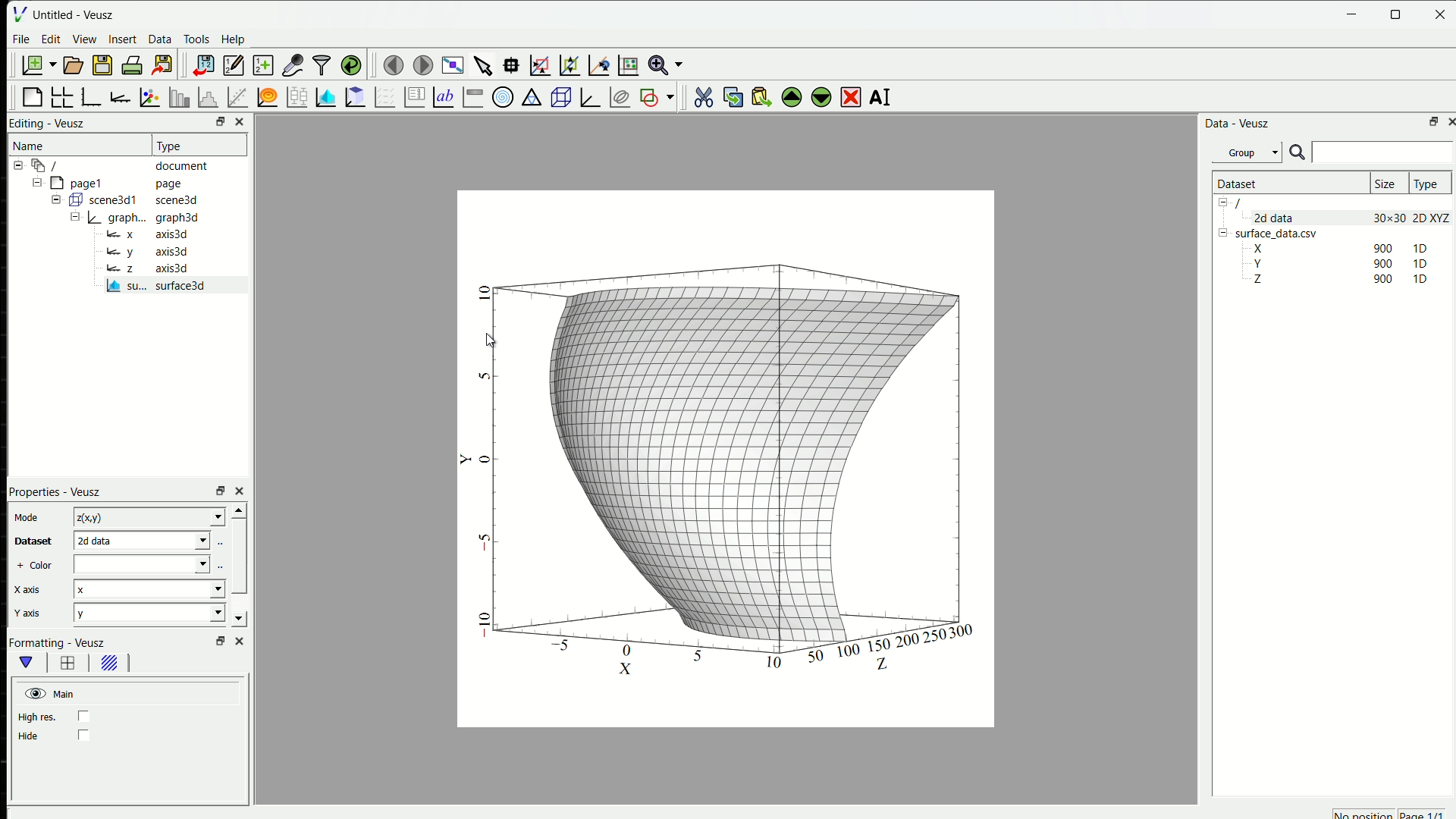 This screenshot has width=1456, height=819. I want to click on Drop-down , so click(220, 516).